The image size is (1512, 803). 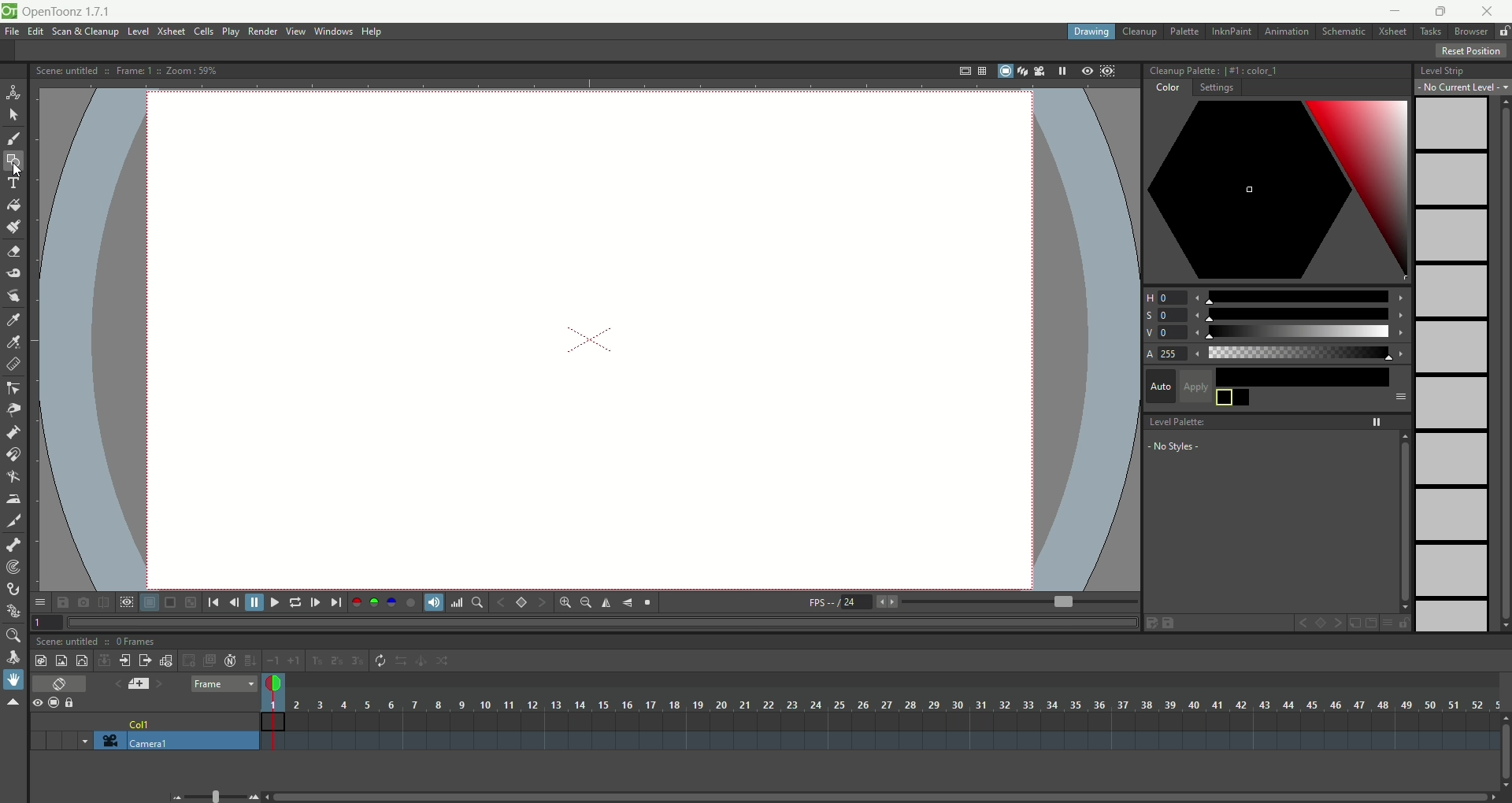 What do you see at coordinates (13, 364) in the screenshot?
I see `ruler editor` at bounding box center [13, 364].